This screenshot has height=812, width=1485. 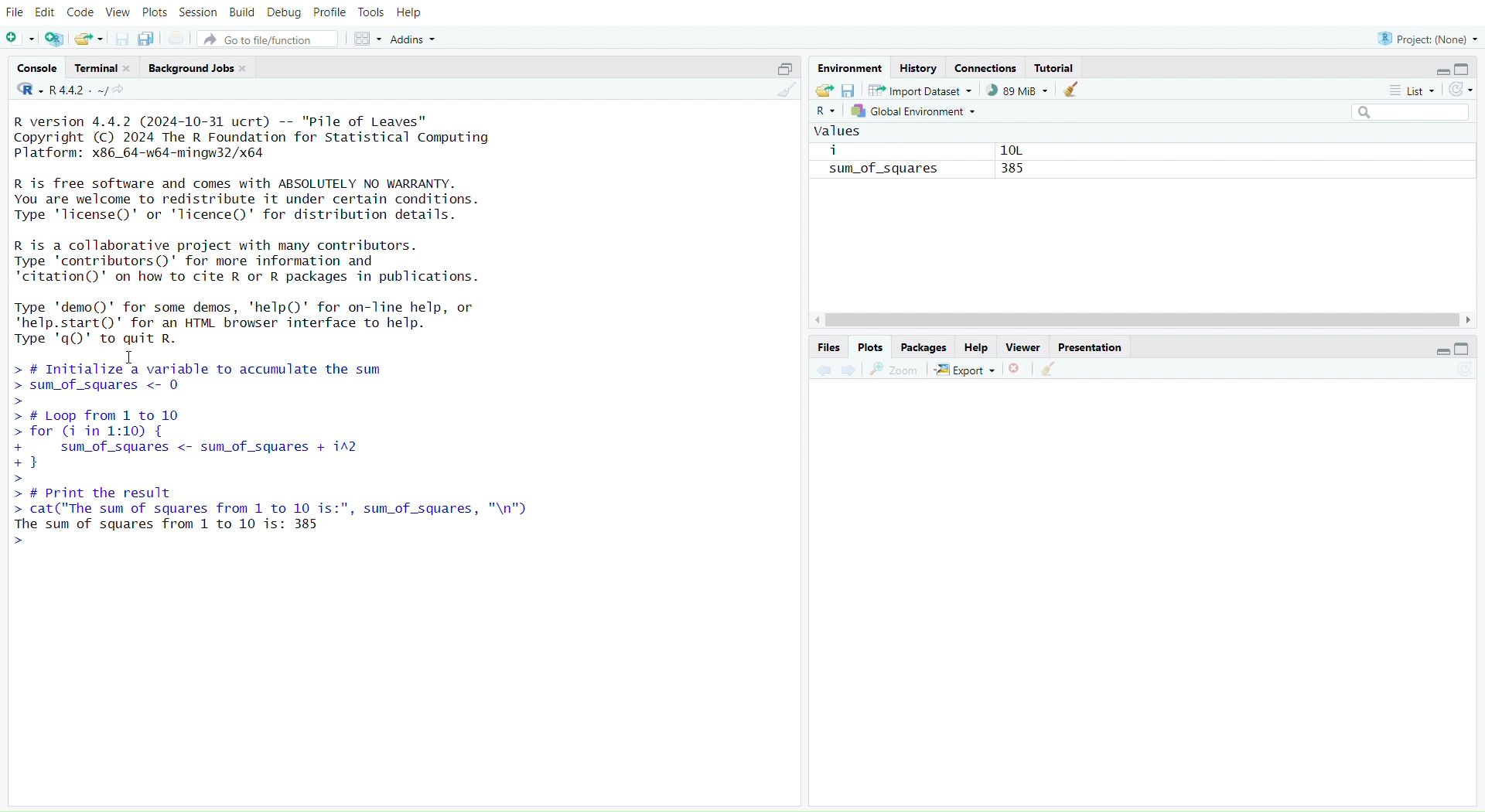 What do you see at coordinates (128, 360) in the screenshot?
I see `cursor` at bounding box center [128, 360].